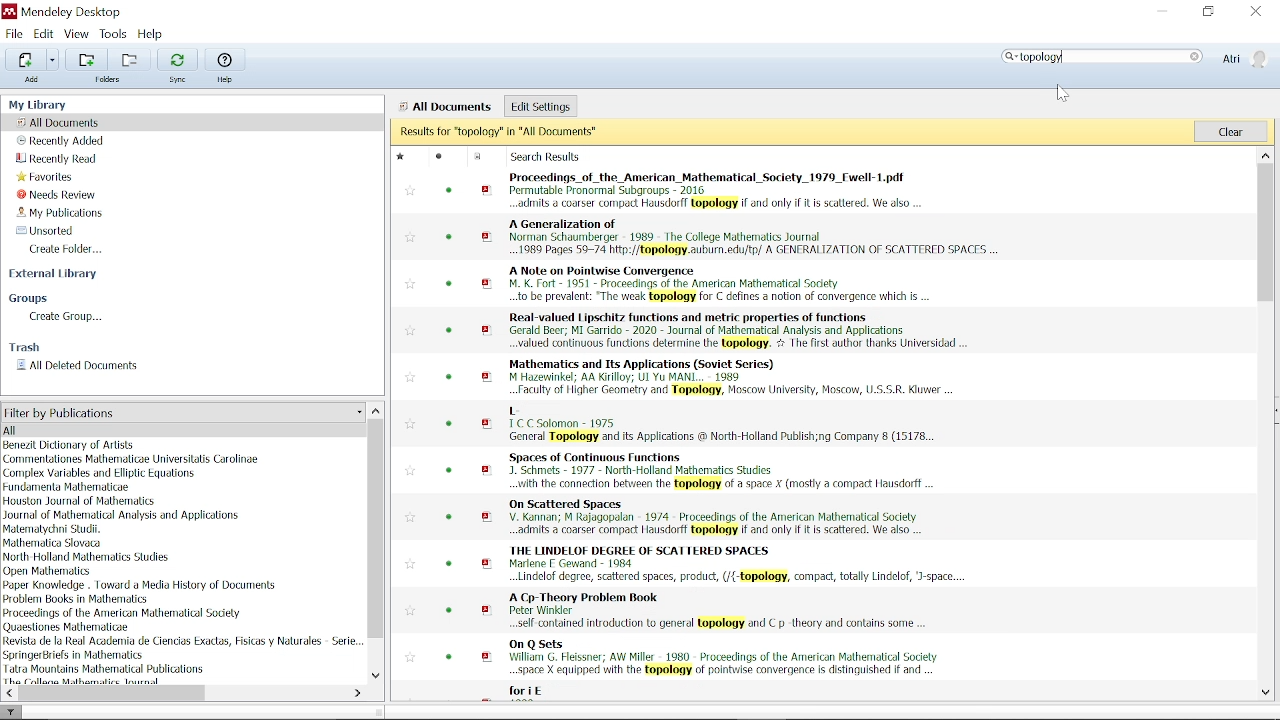 This screenshot has width=1280, height=720. What do you see at coordinates (134, 459) in the screenshot?
I see `author` at bounding box center [134, 459].